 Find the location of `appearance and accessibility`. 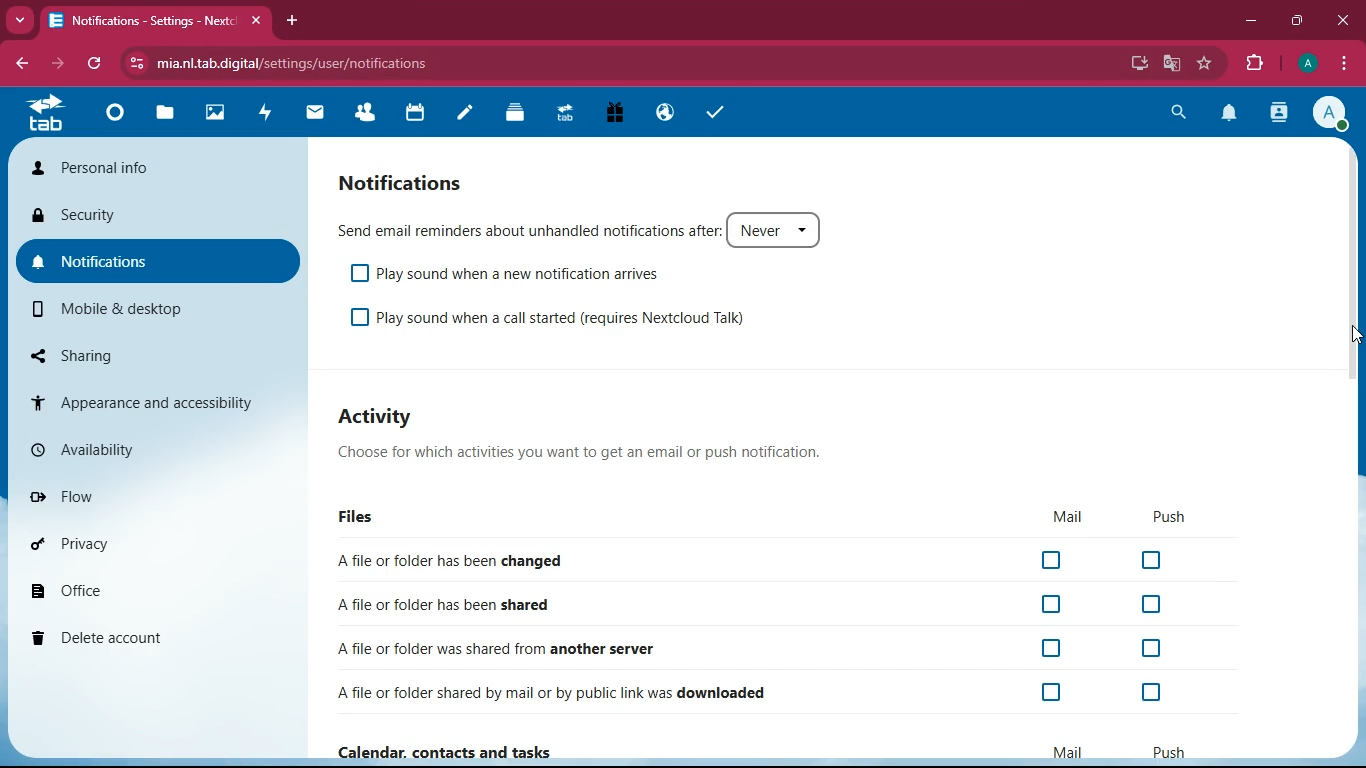

appearance and accessibility is located at coordinates (155, 403).